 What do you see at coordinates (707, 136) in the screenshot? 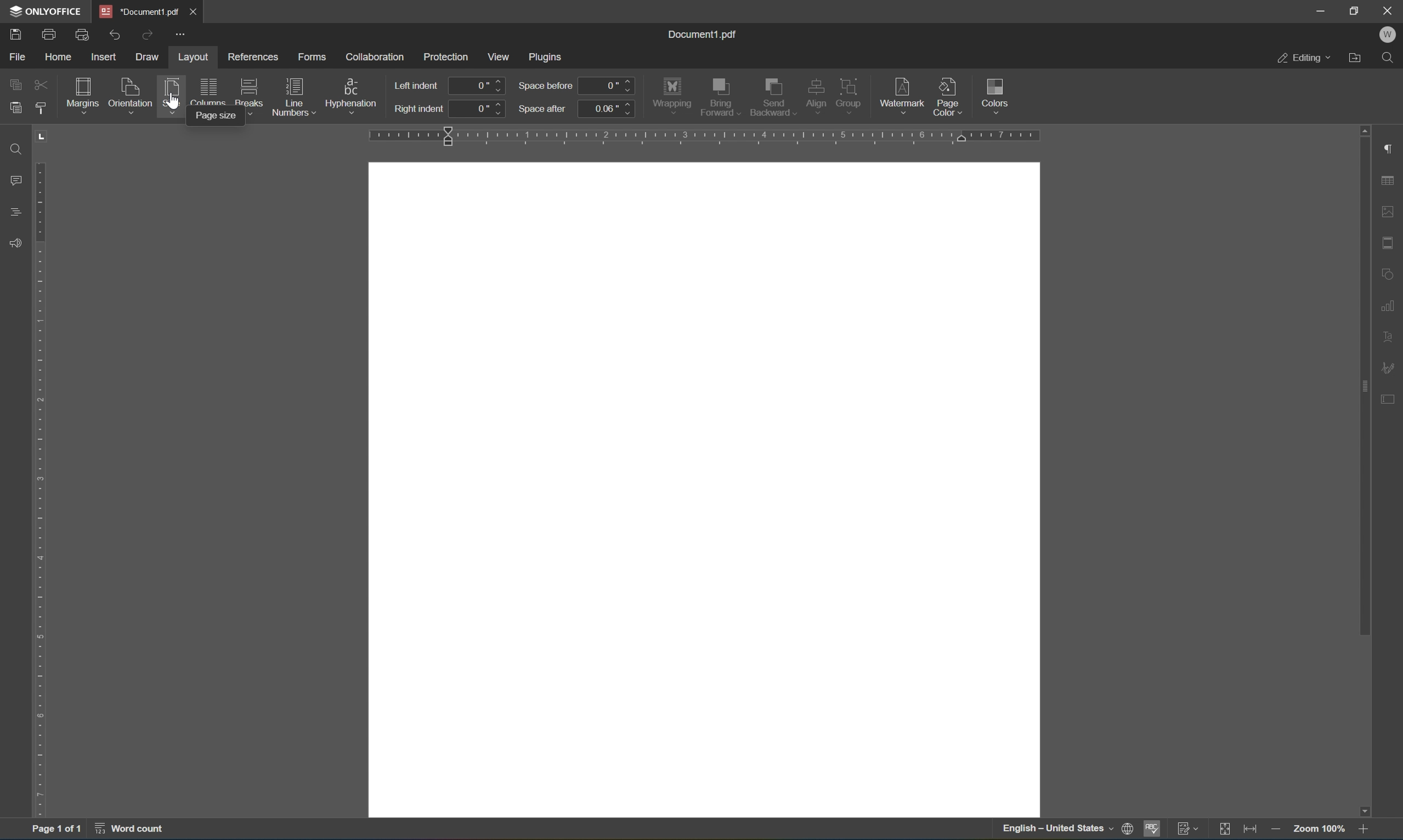
I see `ruler` at bounding box center [707, 136].